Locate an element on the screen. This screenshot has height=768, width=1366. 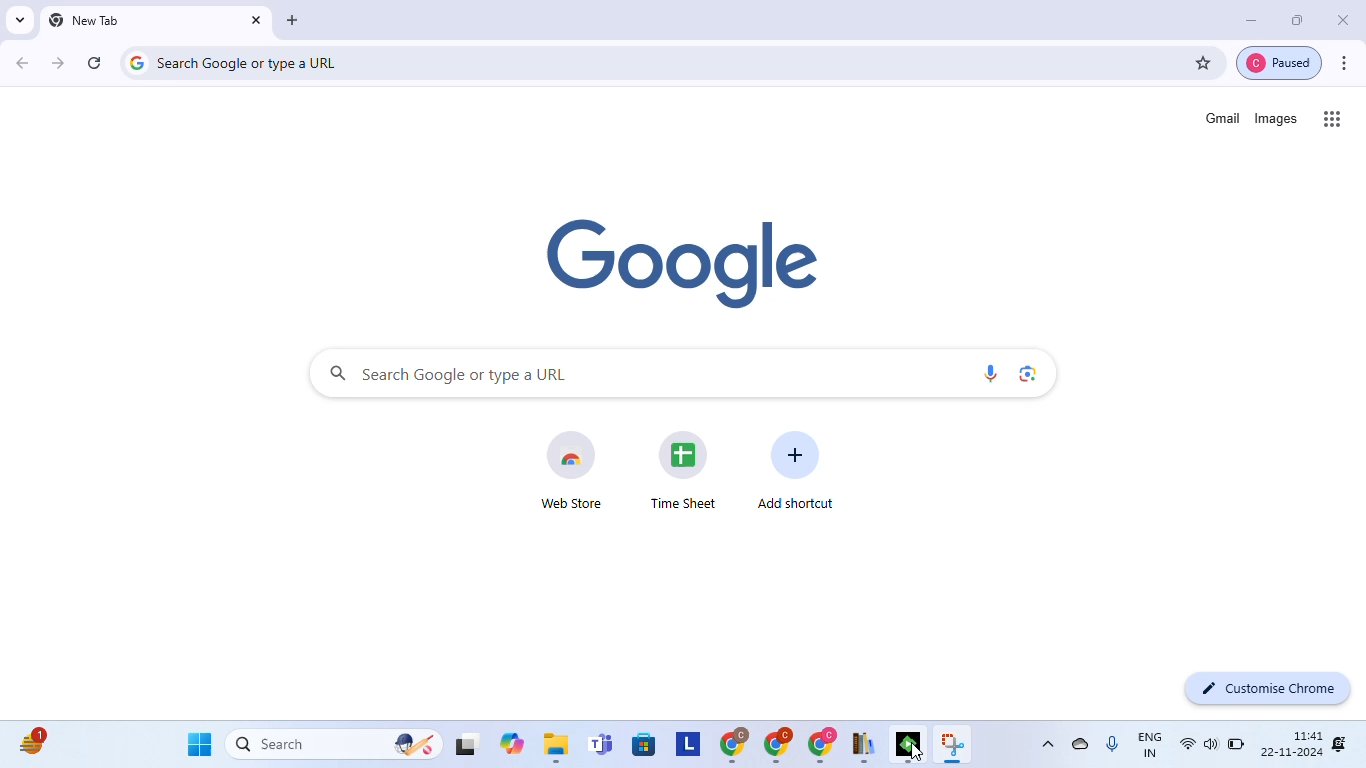
11:41 222-11-2024 is located at coordinates (1291, 742).